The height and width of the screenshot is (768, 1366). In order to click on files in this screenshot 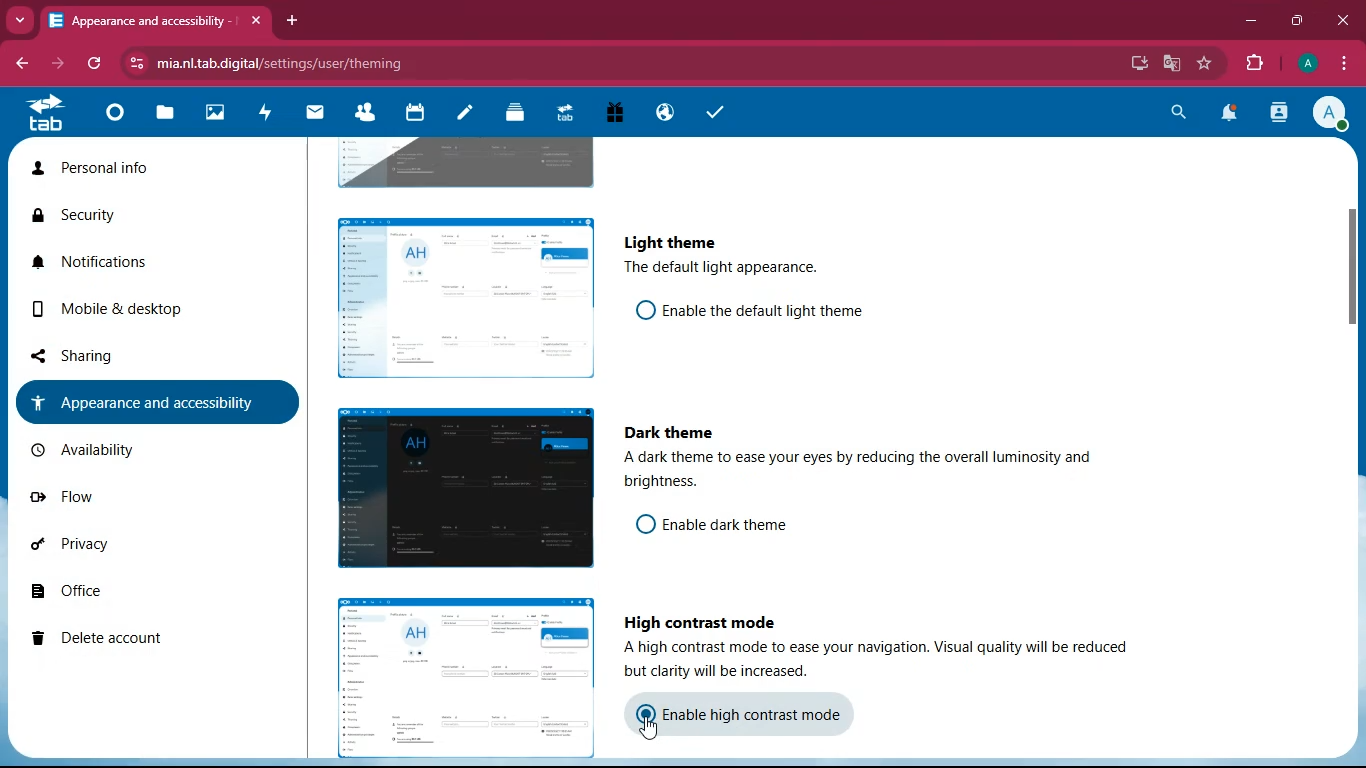, I will do `click(162, 116)`.